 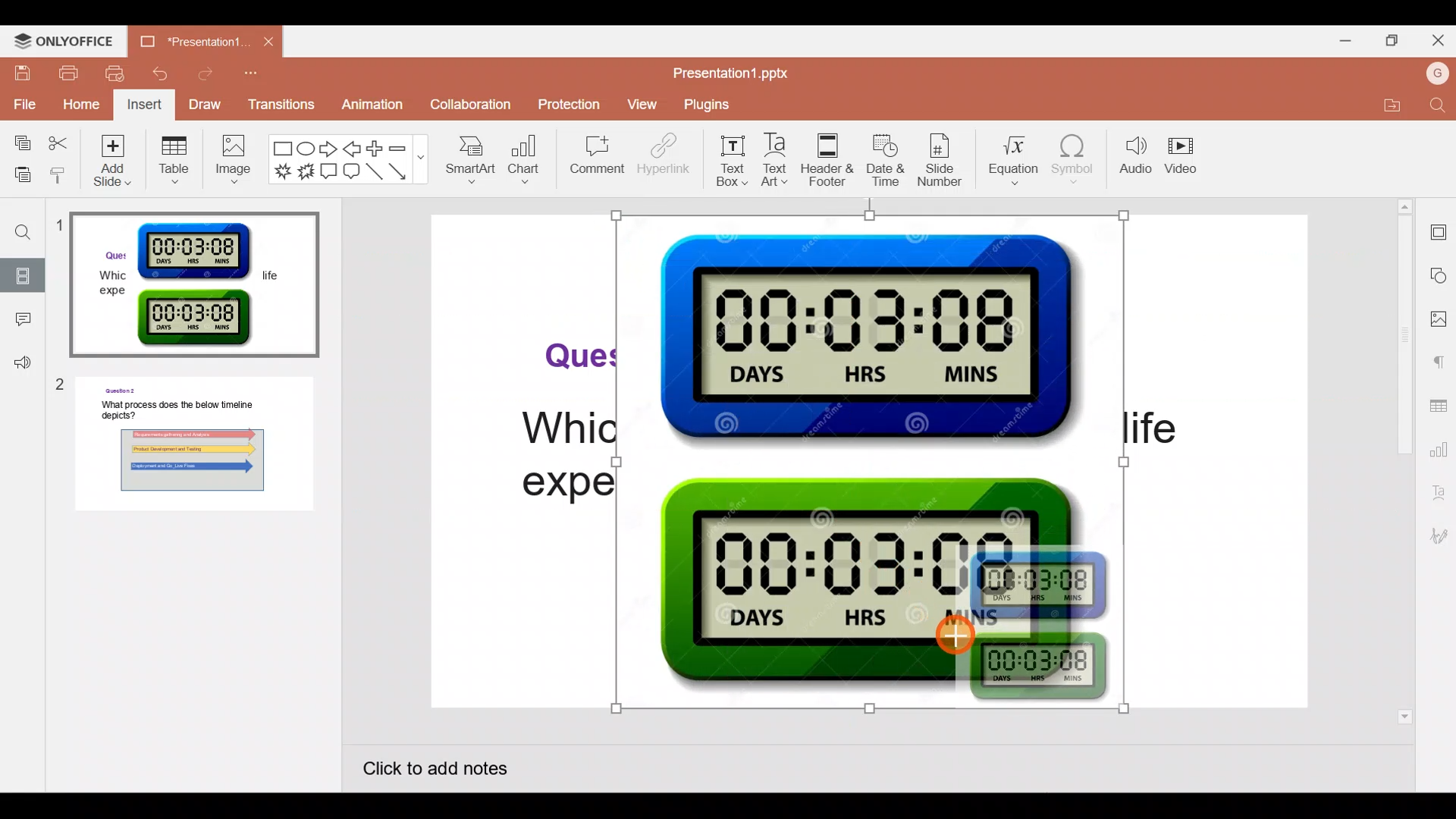 What do you see at coordinates (233, 162) in the screenshot?
I see `Image` at bounding box center [233, 162].